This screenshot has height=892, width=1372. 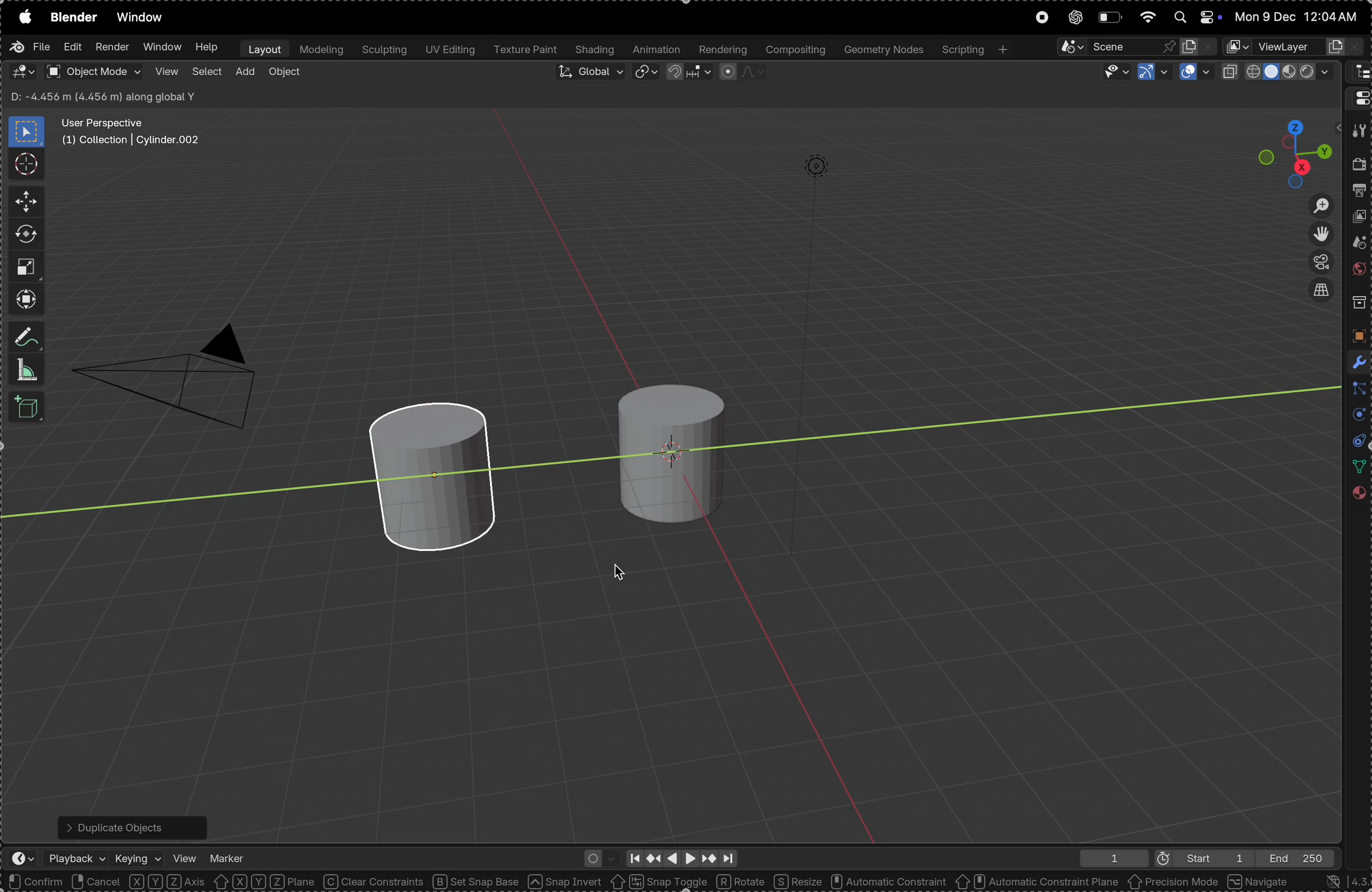 What do you see at coordinates (138, 855) in the screenshot?
I see `keying` at bounding box center [138, 855].